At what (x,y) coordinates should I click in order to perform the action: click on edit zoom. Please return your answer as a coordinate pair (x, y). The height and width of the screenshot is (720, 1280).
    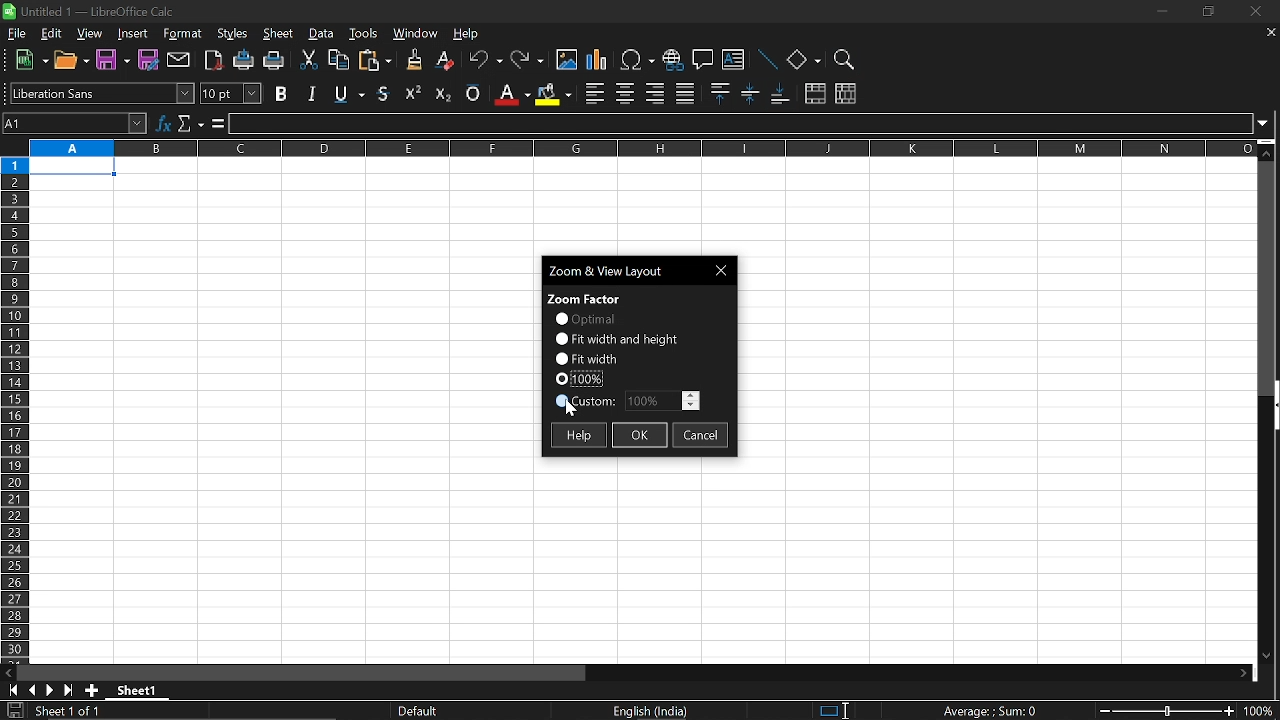
    Looking at the image, I should click on (665, 400).